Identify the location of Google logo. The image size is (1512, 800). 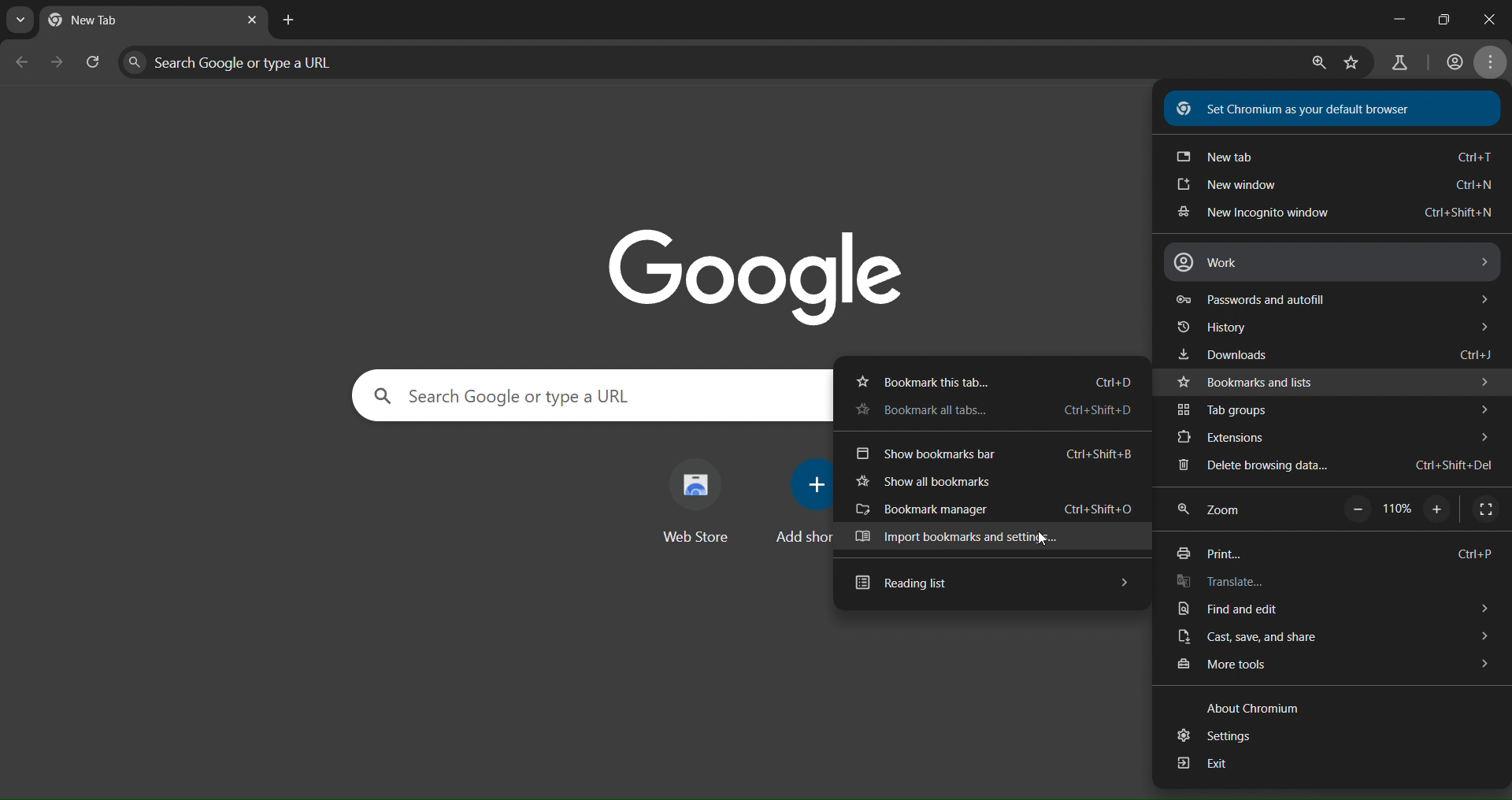
(758, 276).